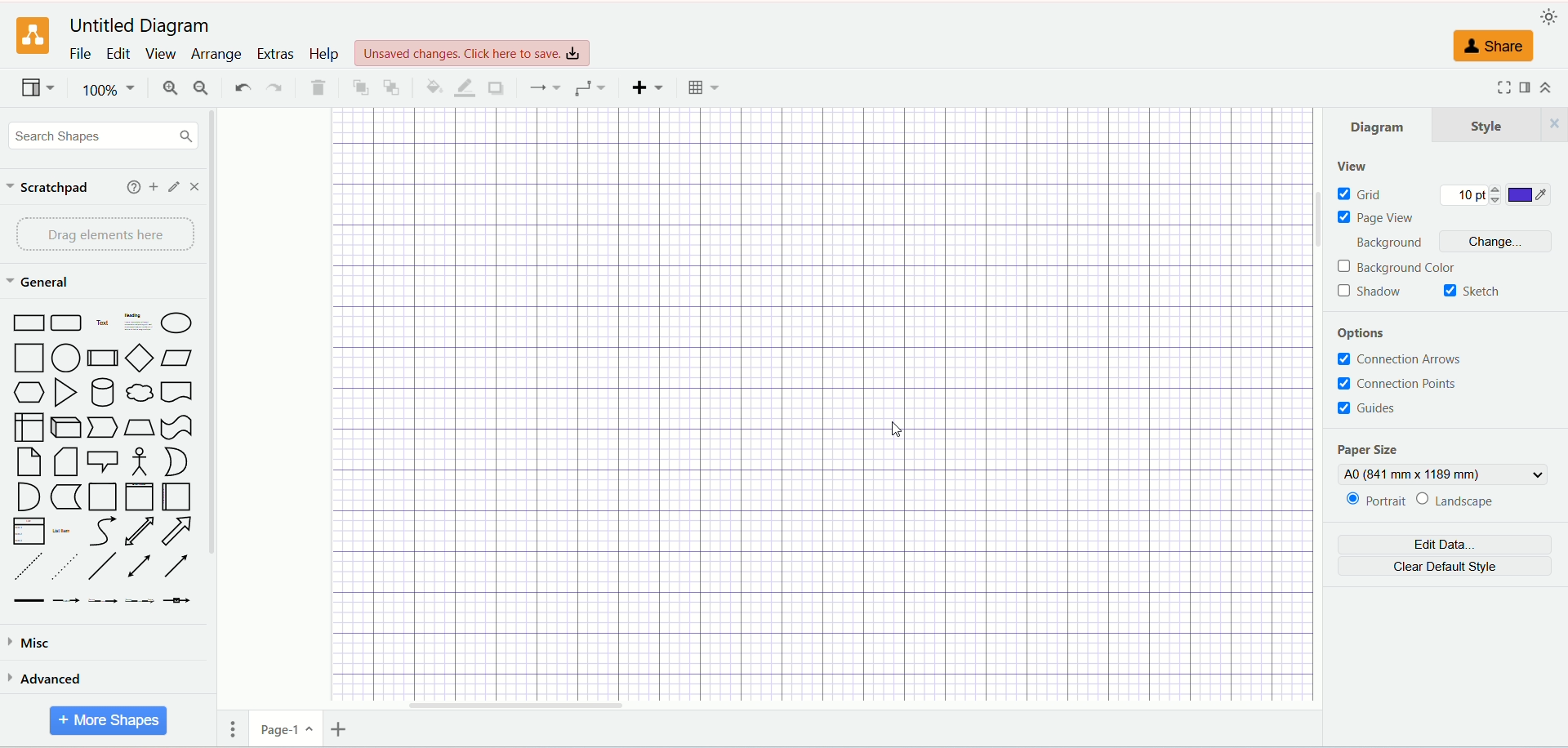 This screenshot has height=748, width=1568. Describe the element at coordinates (103, 325) in the screenshot. I see `Text` at that location.